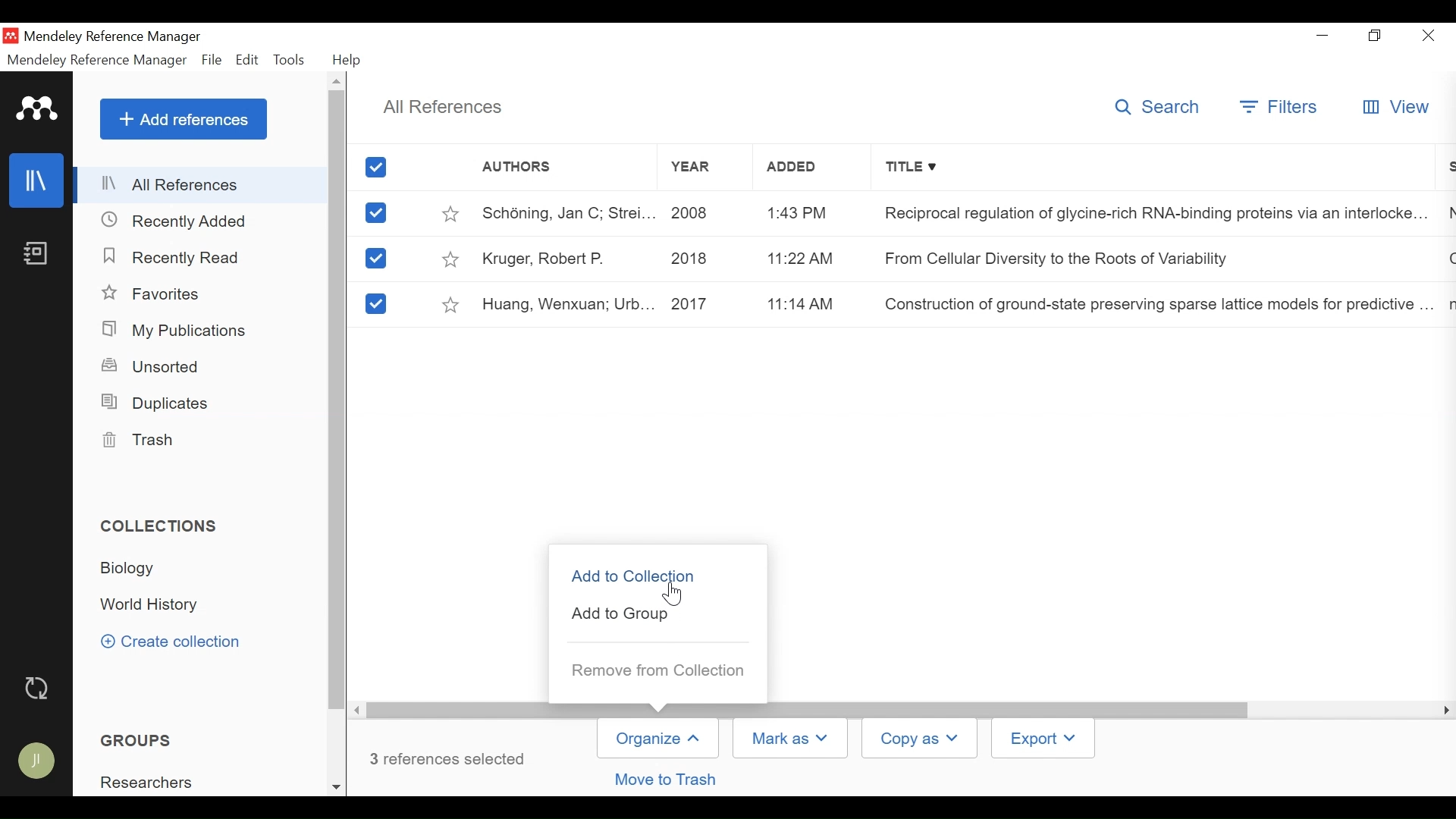  What do you see at coordinates (37, 111) in the screenshot?
I see `Mendeley Logo` at bounding box center [37, 111].